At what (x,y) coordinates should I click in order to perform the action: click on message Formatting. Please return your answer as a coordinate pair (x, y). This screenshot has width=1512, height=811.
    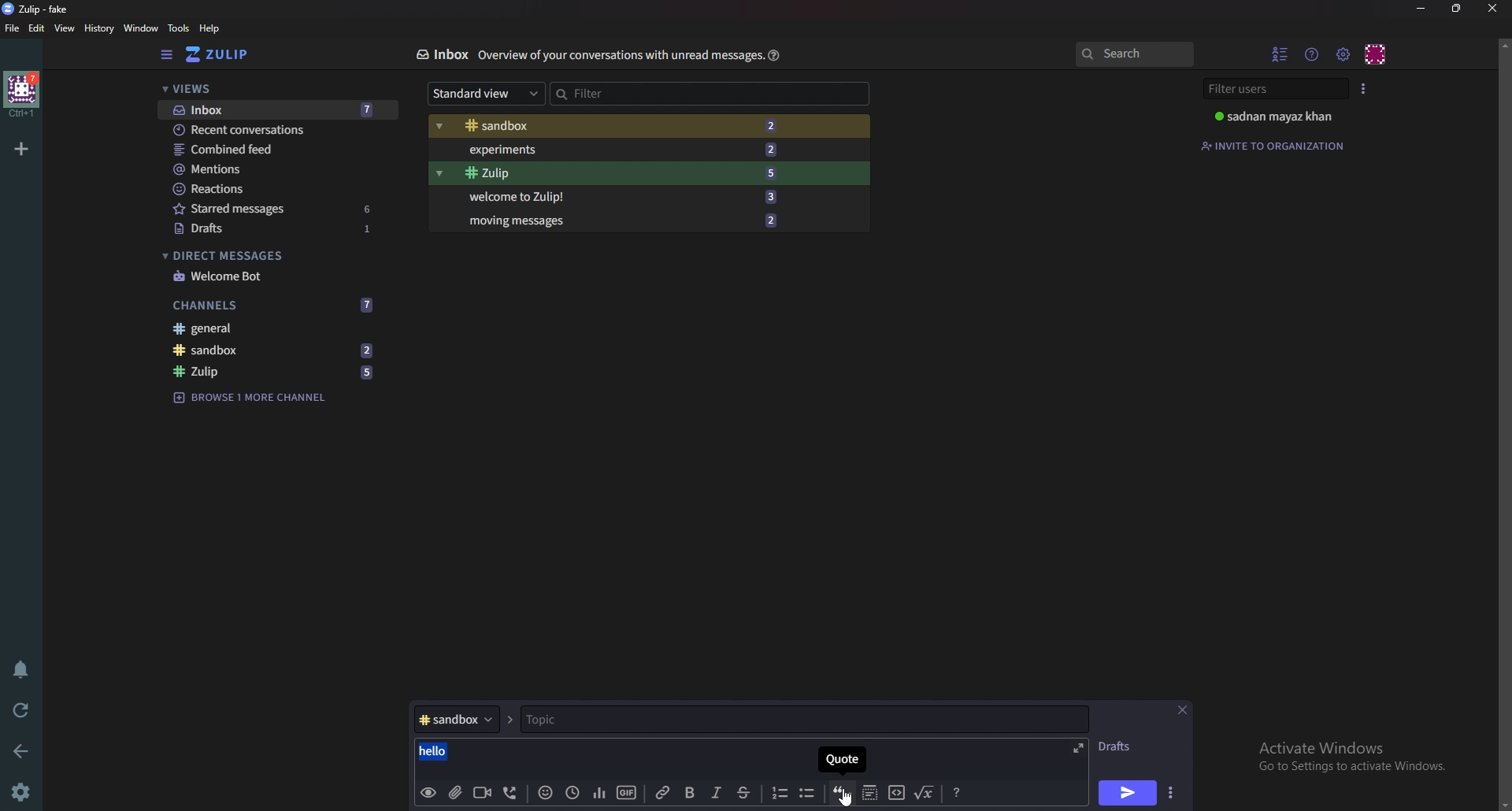
    Looking at the image, I should click on (961, 791).